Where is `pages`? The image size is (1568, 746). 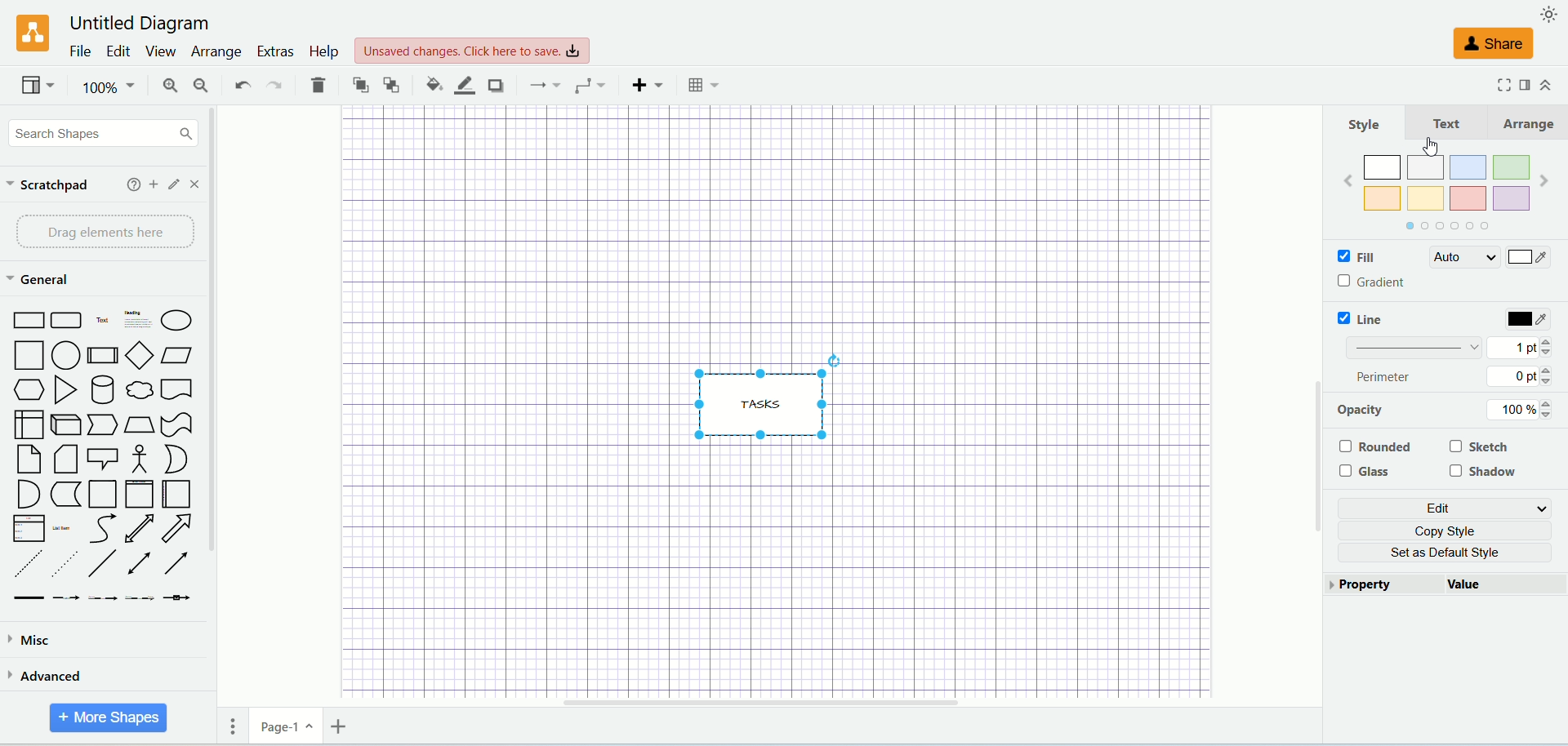
pages is located at coordinates (227, 726).